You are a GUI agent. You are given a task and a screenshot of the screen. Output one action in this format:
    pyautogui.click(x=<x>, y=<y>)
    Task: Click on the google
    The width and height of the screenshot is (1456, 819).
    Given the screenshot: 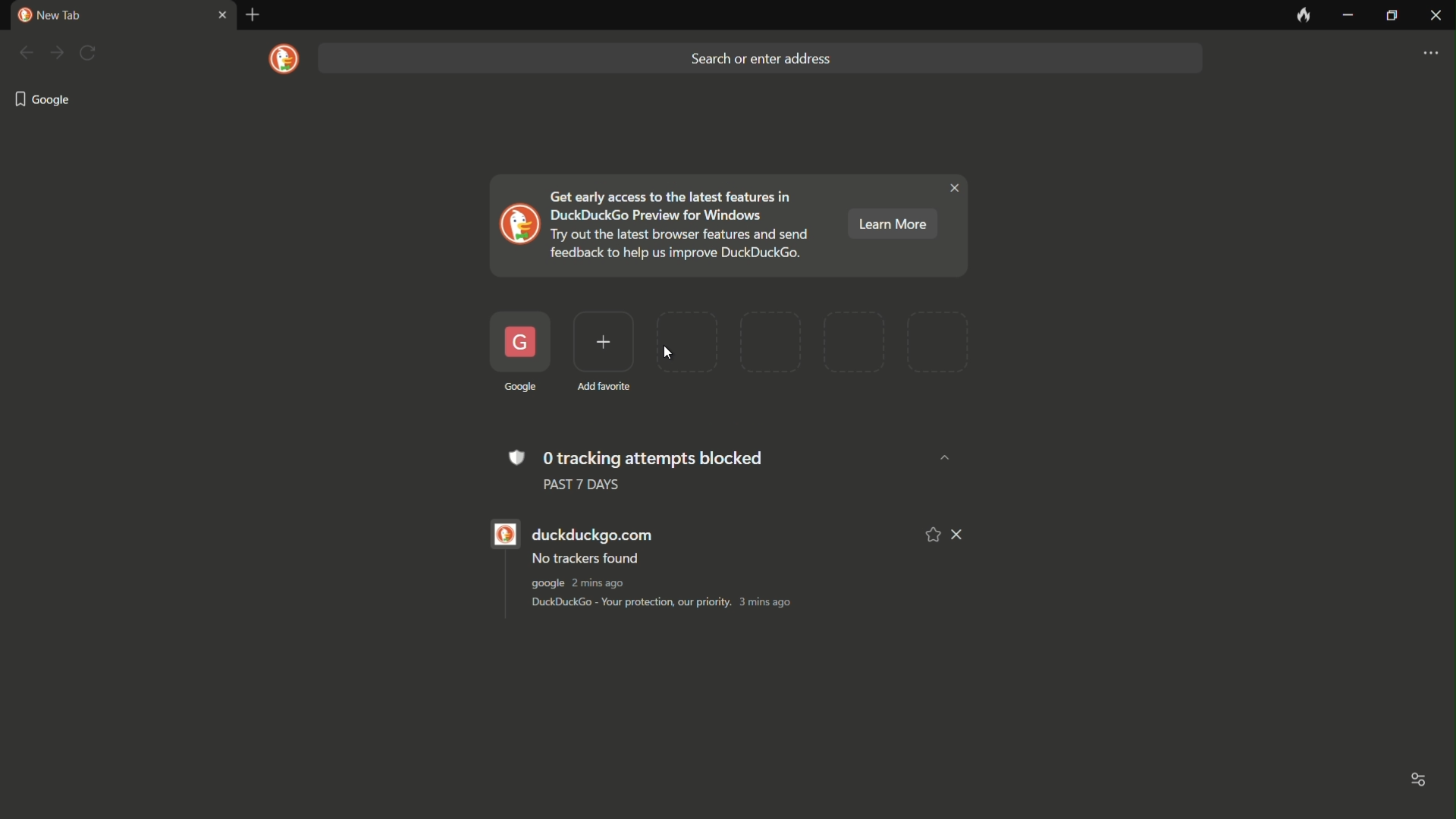 What is the action you would take?
    pyautogui.click(x=47, y=101)
    